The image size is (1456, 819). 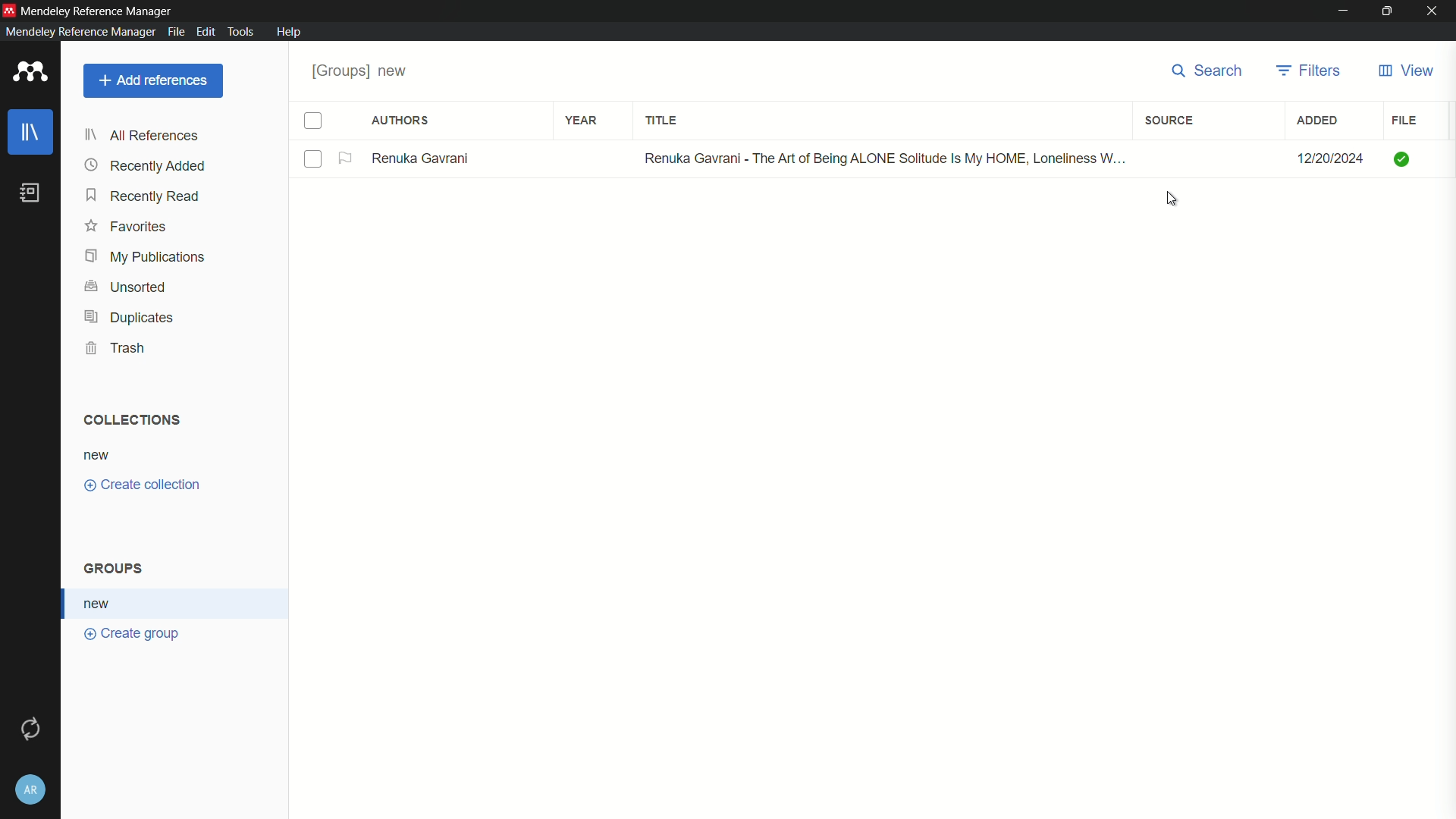 I want to click on recently added, so click(x=146, y=166).